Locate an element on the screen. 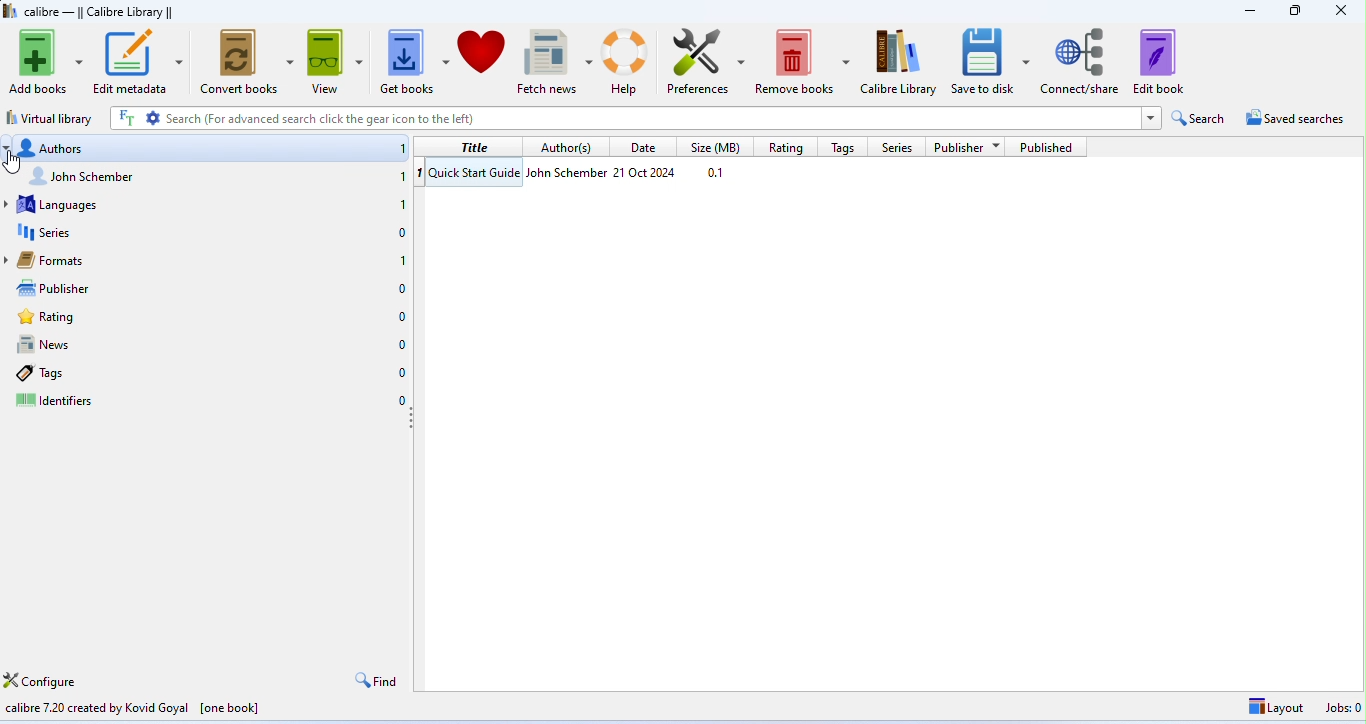 This screenshot has width=1366, height=724. expand is located at coordinates (1155, 118).